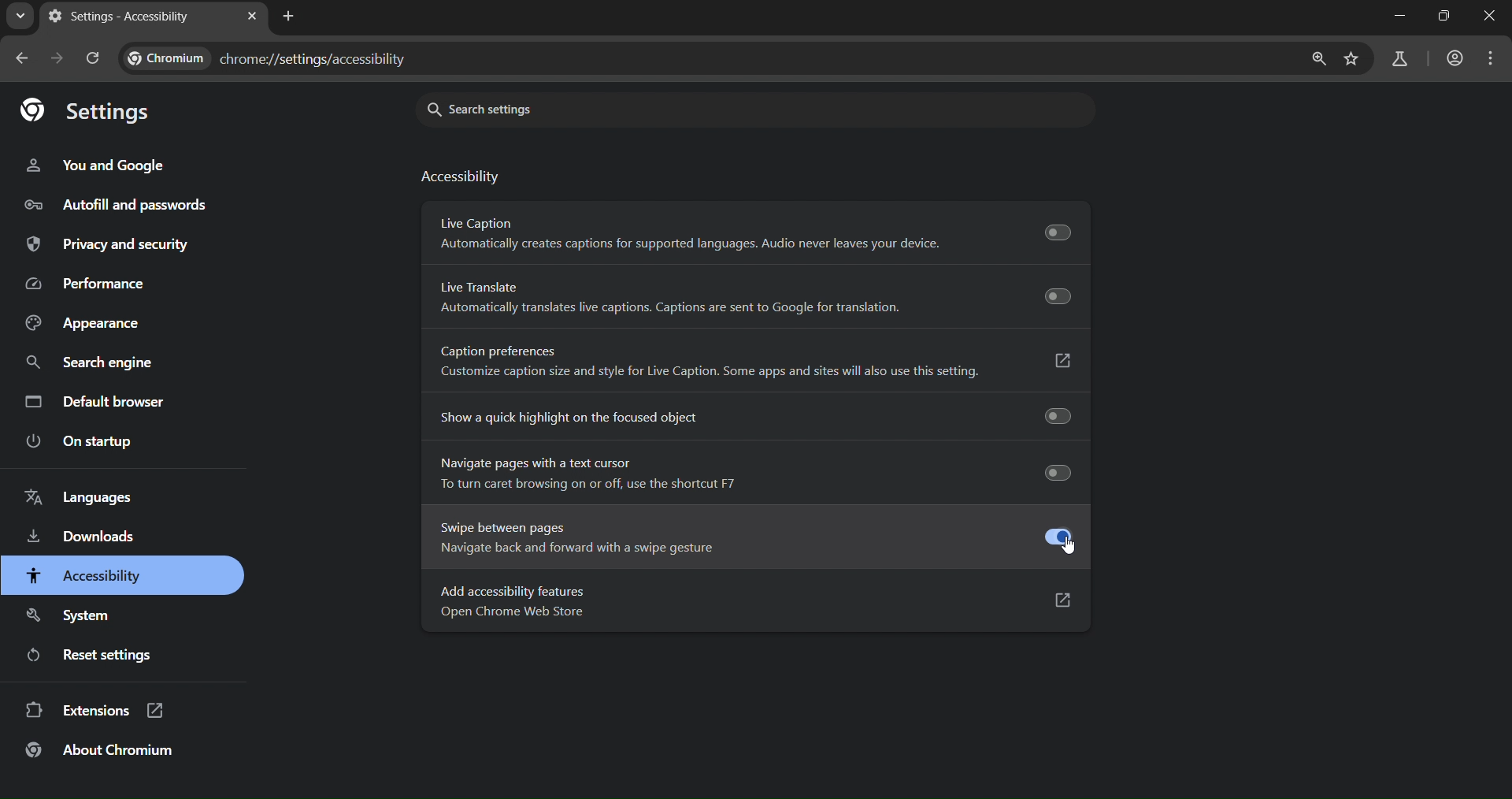  I want to click on account, so click(1453, 58).